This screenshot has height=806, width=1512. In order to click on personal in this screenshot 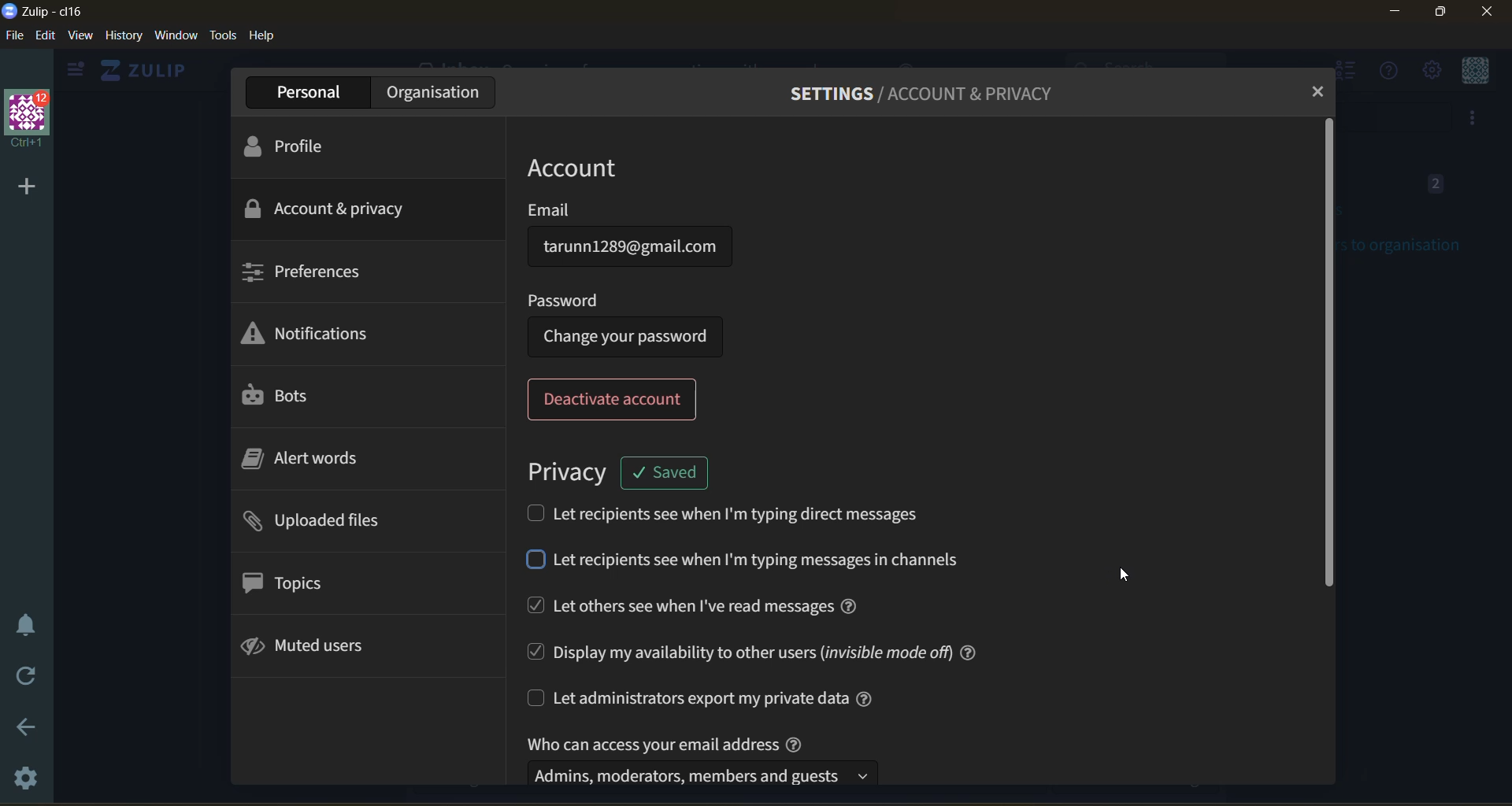, I will do `click(309, 93)`.